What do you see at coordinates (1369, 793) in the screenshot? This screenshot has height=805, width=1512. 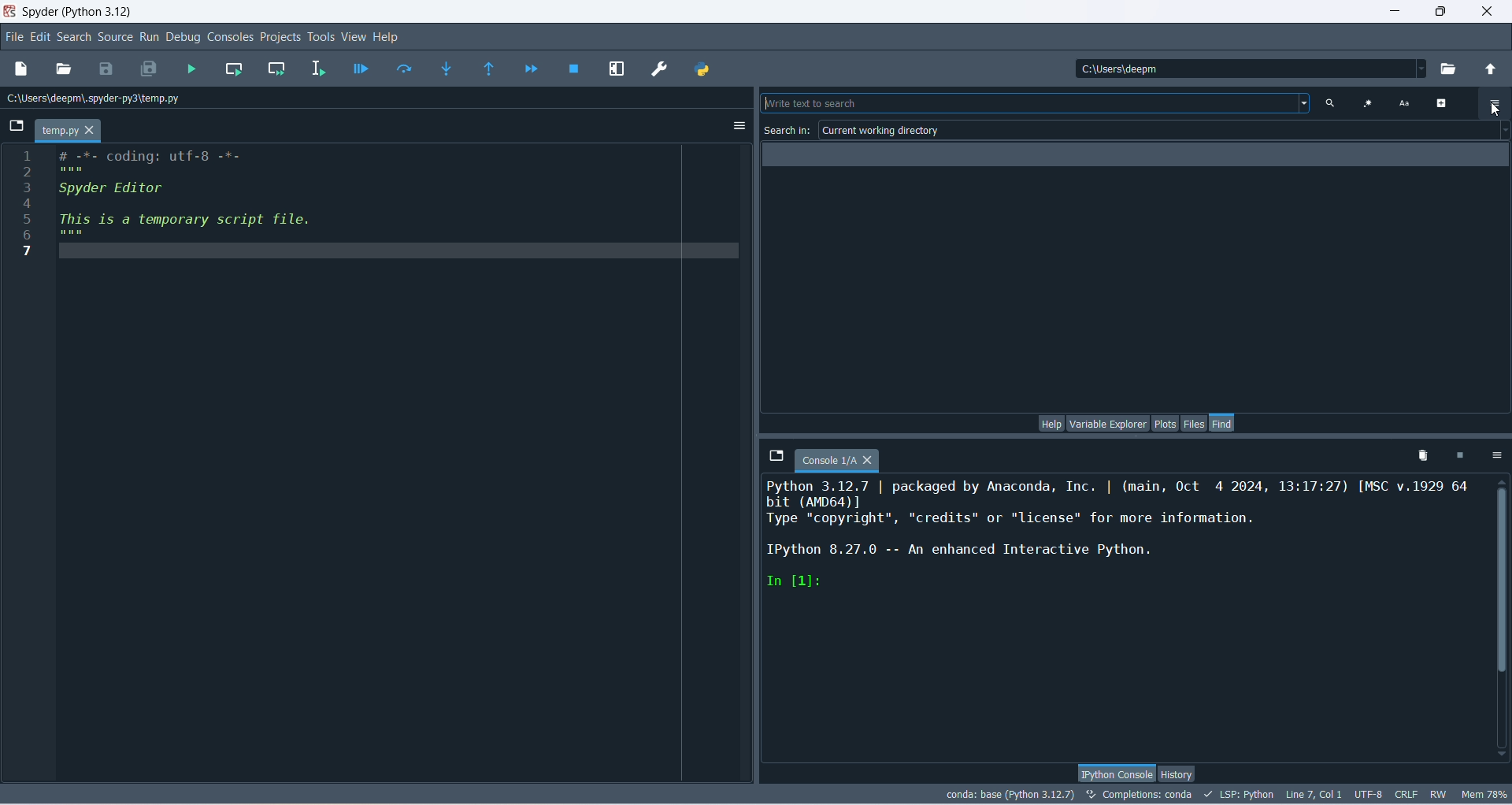 I see `UTF` at bounding box center [1369, 793].